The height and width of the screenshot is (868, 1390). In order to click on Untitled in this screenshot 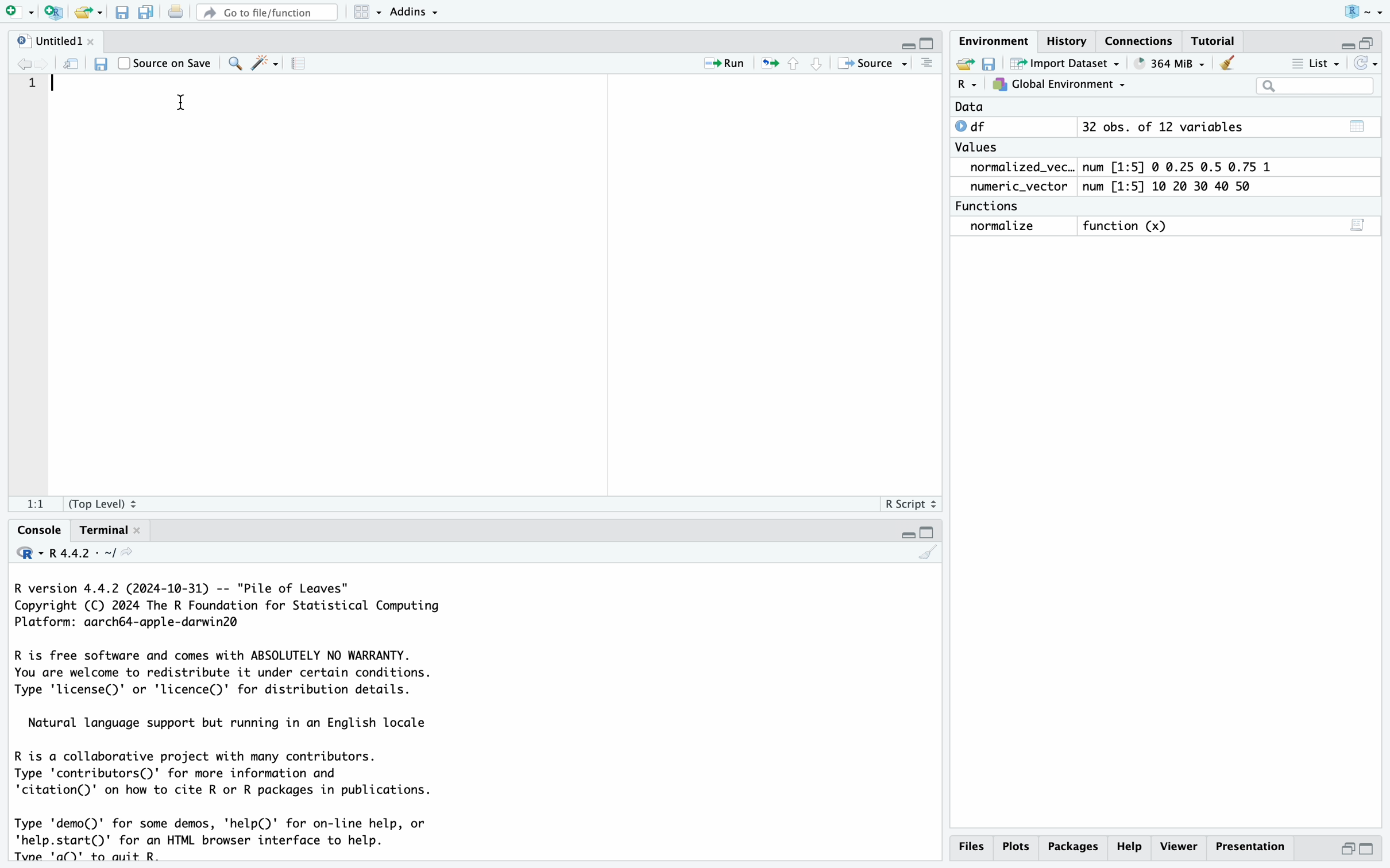, I will do `click(55, 41)`.